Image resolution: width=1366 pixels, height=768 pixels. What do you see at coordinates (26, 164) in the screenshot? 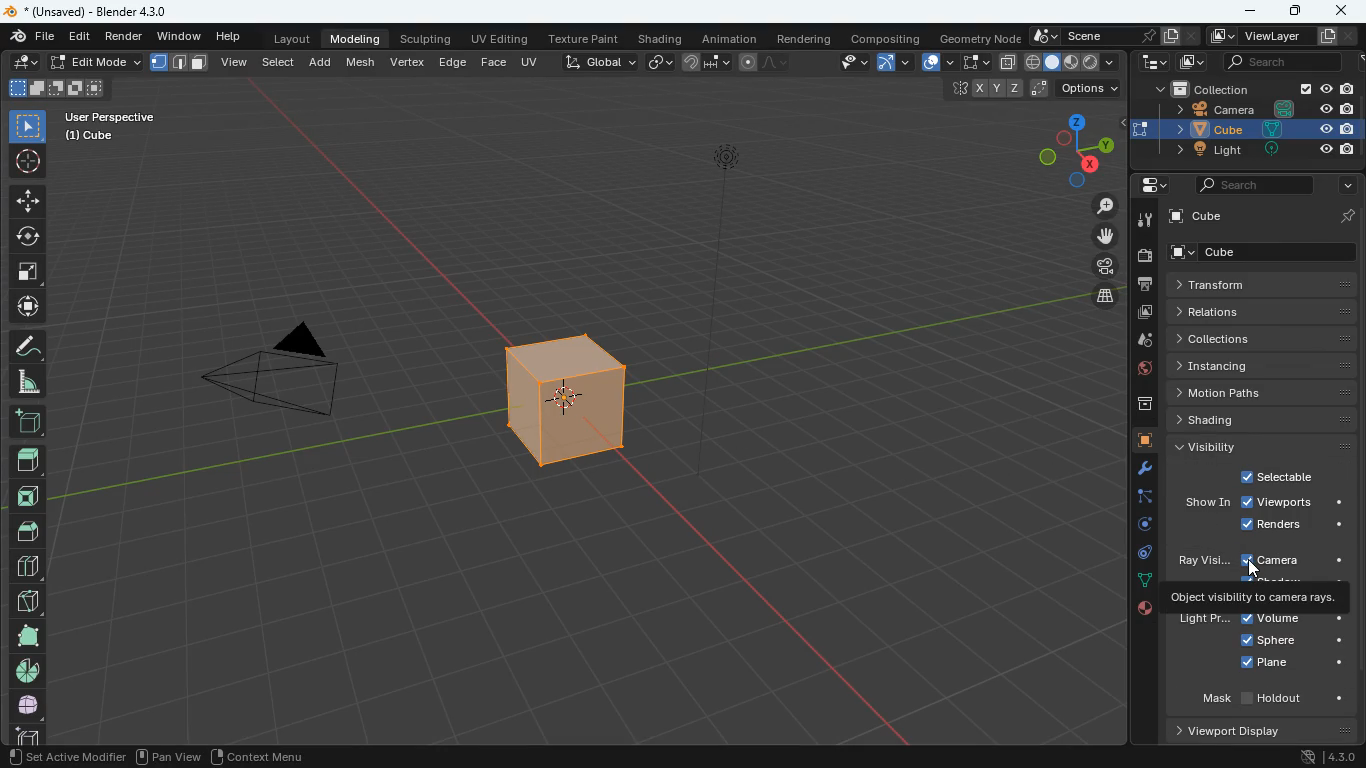
I see `aim` at bounding box center [26, 164].